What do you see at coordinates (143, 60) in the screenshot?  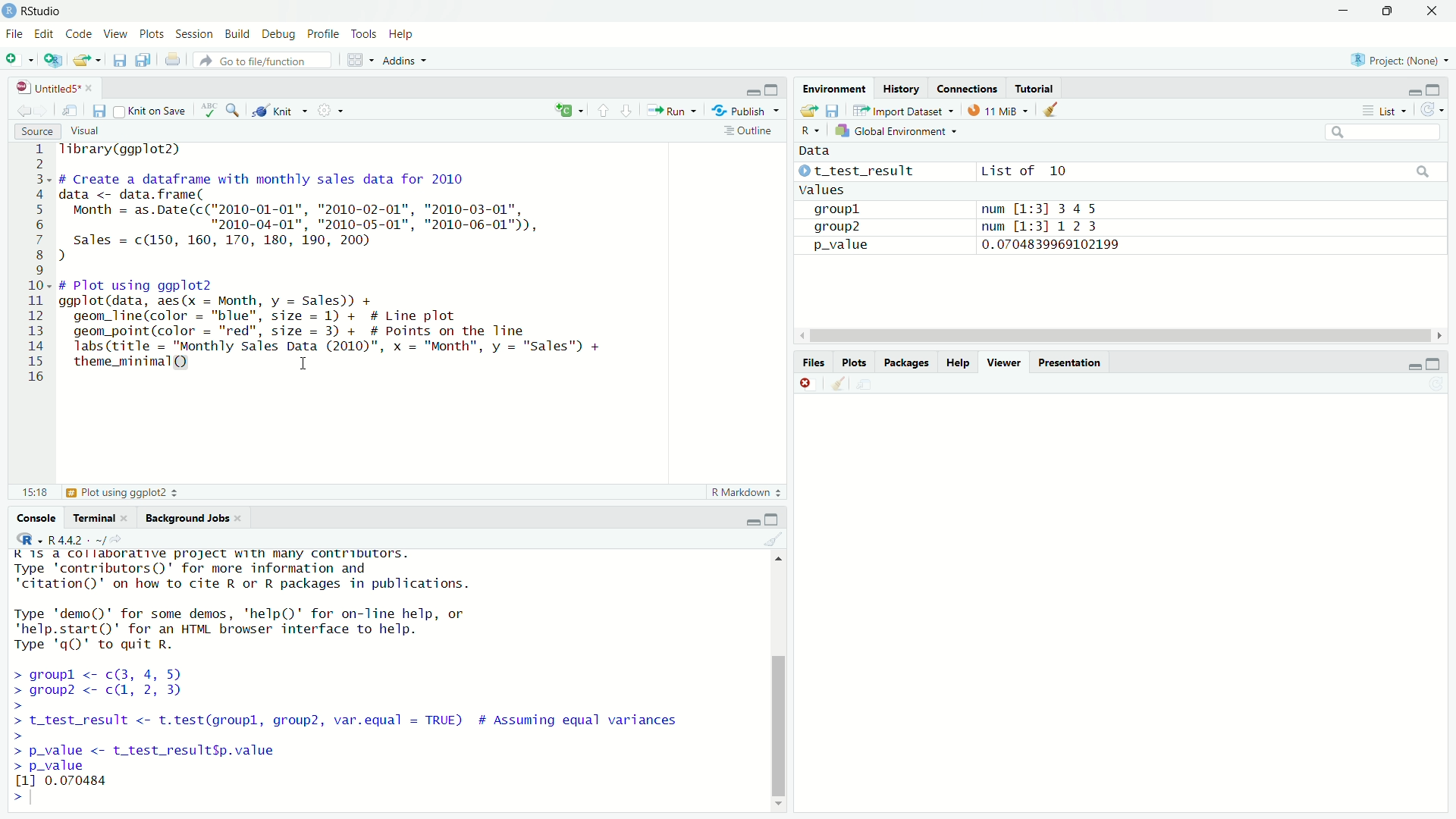 I see `save all open document` at bounding box center [143, 60].